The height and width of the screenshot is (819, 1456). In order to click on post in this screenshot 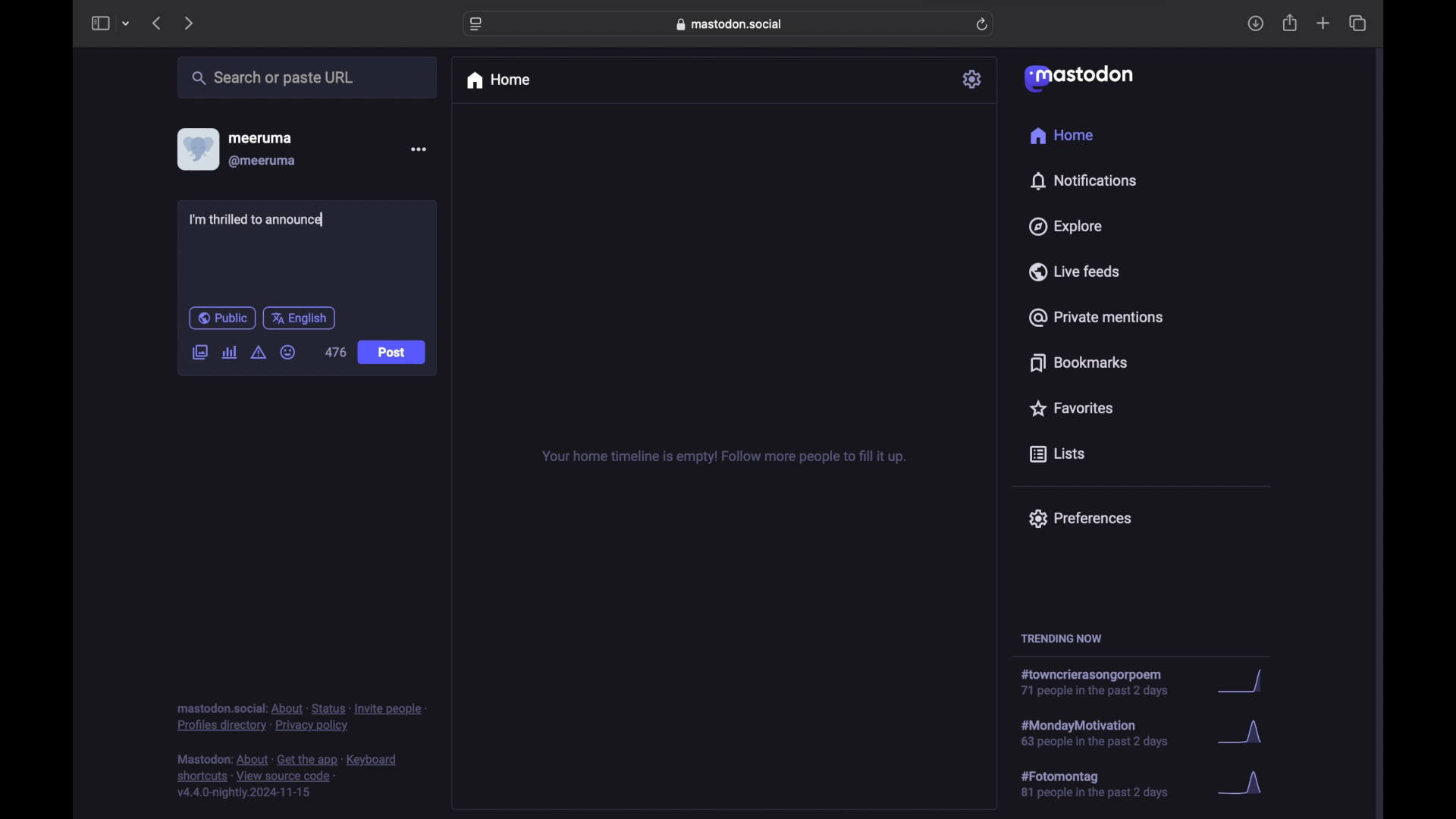, I will do `click(391, 353)`.